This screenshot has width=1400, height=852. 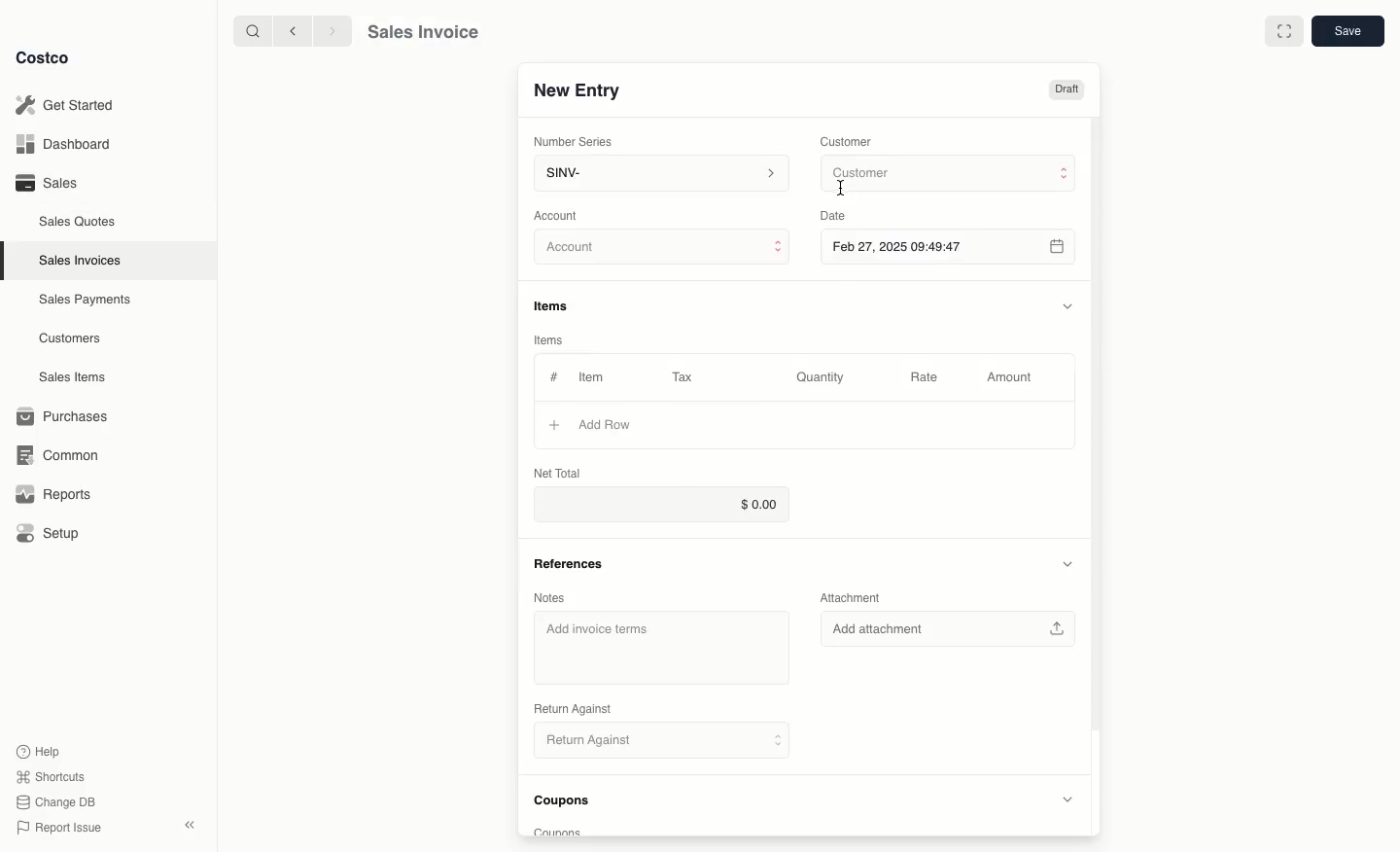 I want to click on Rate, so click(x=926, y=378).